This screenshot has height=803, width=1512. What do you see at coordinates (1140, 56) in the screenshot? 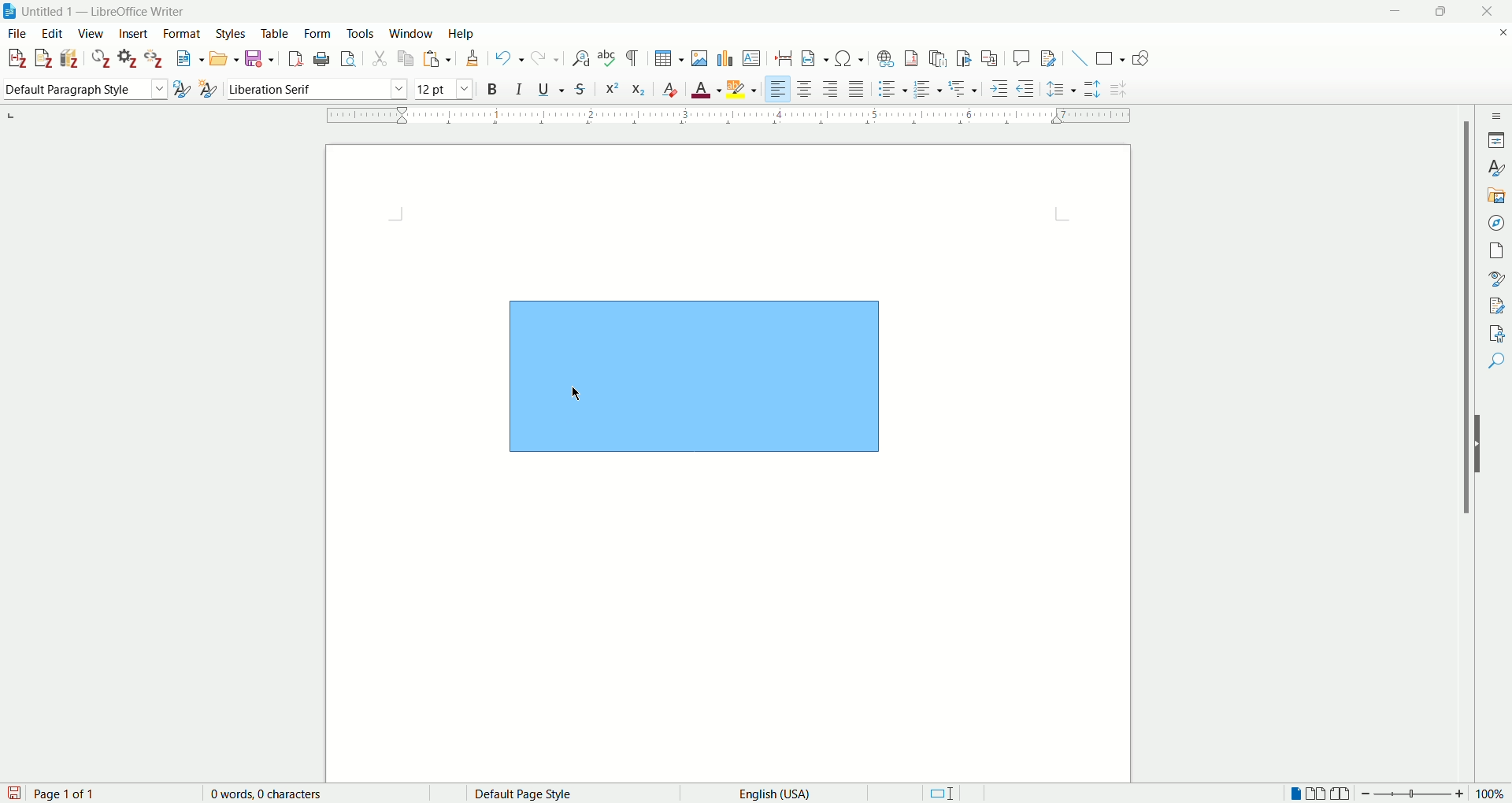
I see `show draw functions` at bounding box center [1140, 56].